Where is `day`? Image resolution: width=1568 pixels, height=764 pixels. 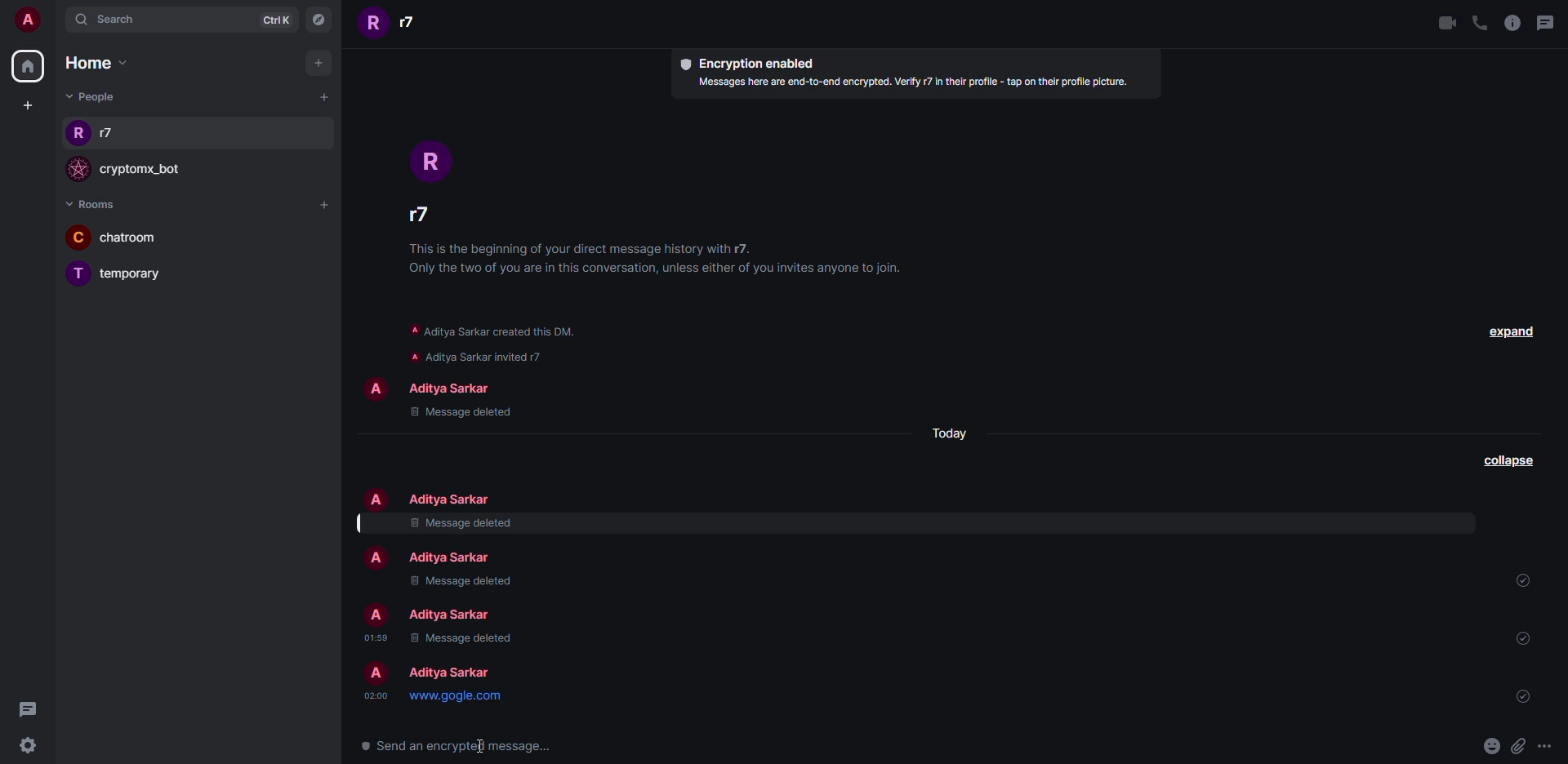
day is located at coordinates (950, 436).